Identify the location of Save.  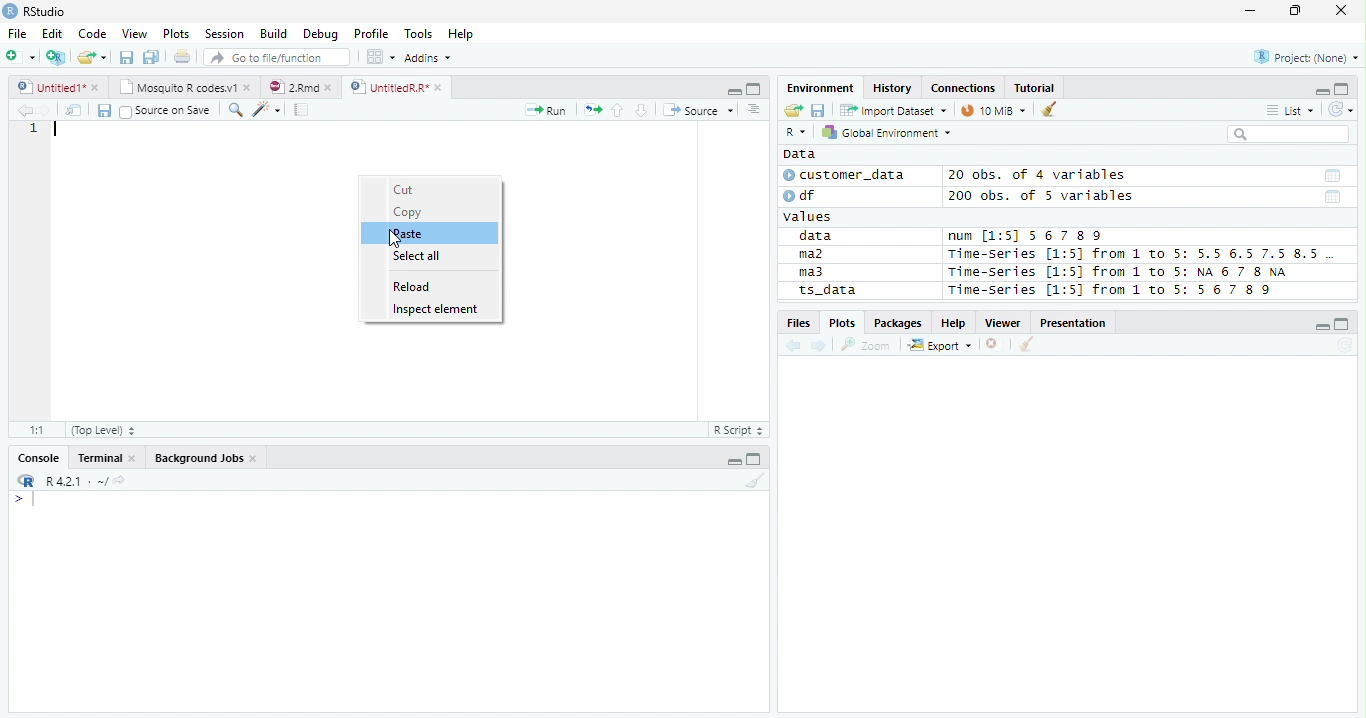
(818, 109).